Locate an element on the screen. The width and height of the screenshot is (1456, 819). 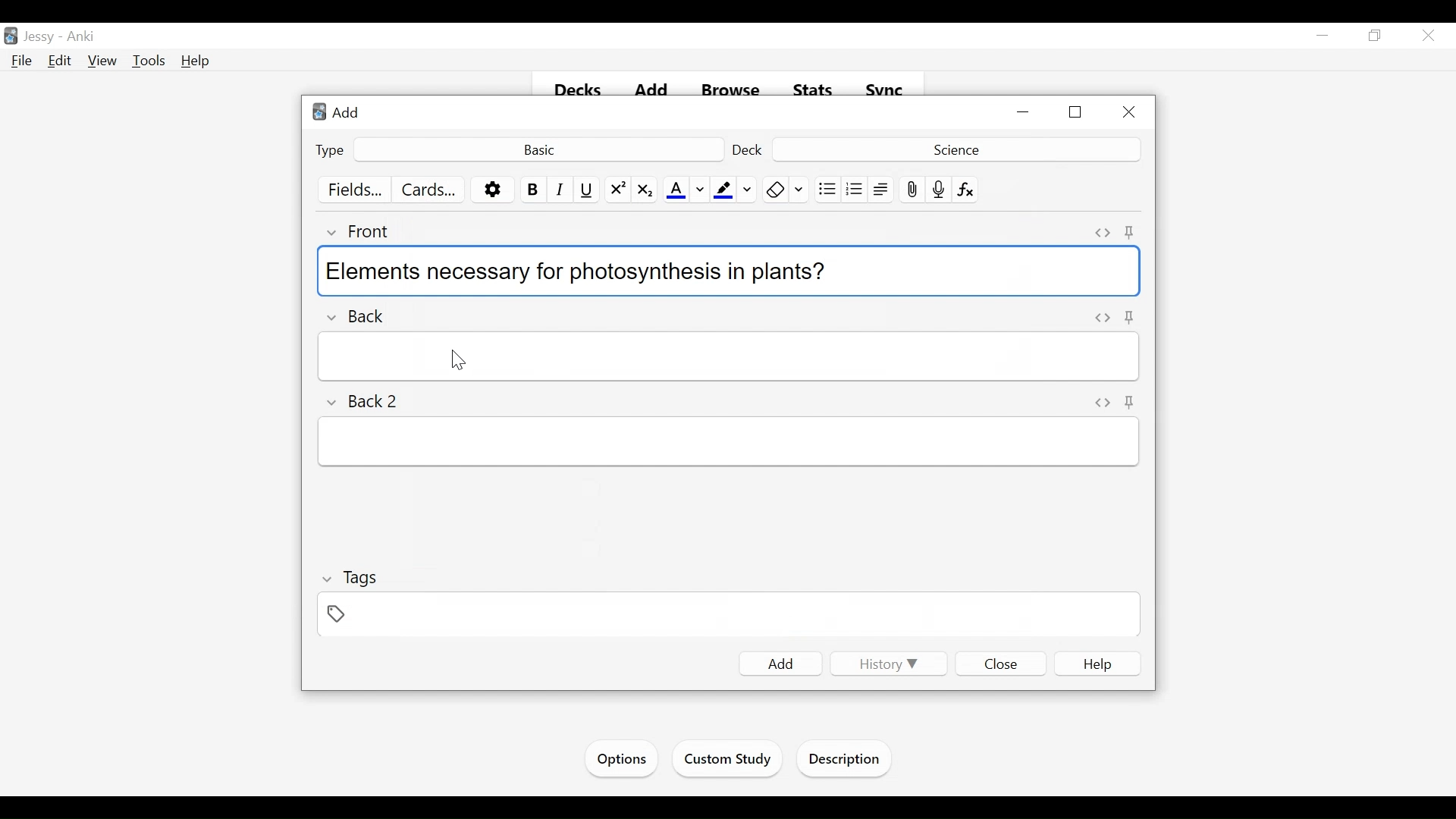
Tags Field is located at coordinates (730, 616).